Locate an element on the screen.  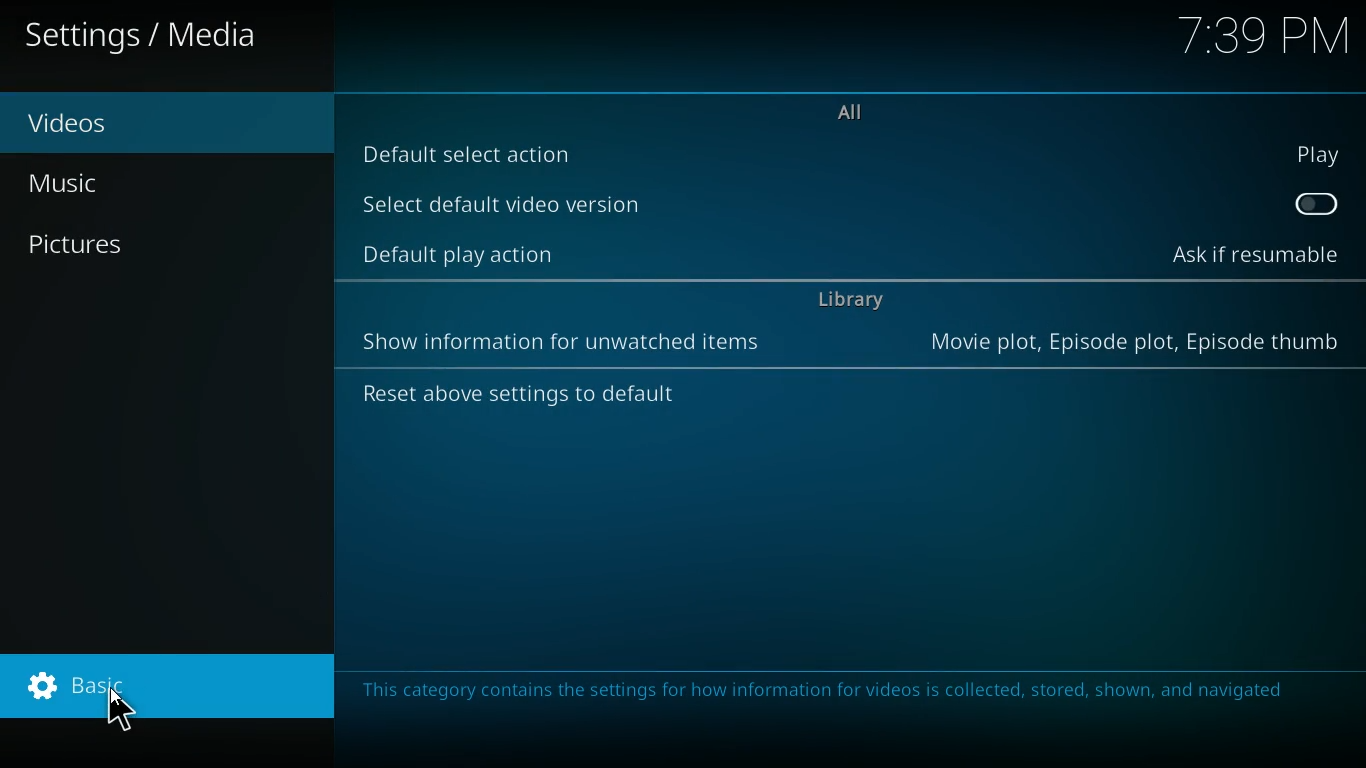
play is located at coordinates (1311, 160).